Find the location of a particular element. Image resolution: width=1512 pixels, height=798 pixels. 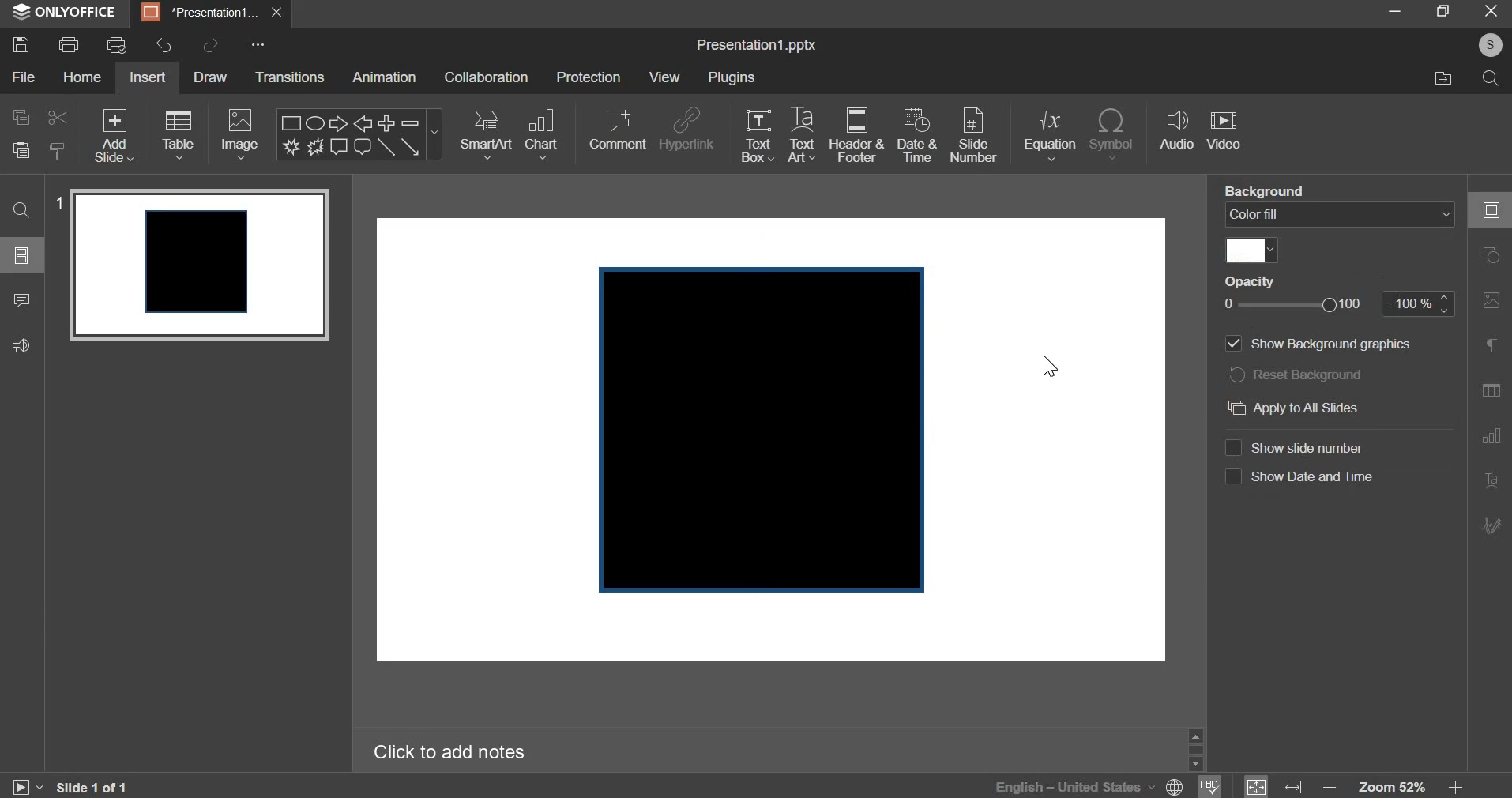

Chart is located at coordinates (1491, 438).